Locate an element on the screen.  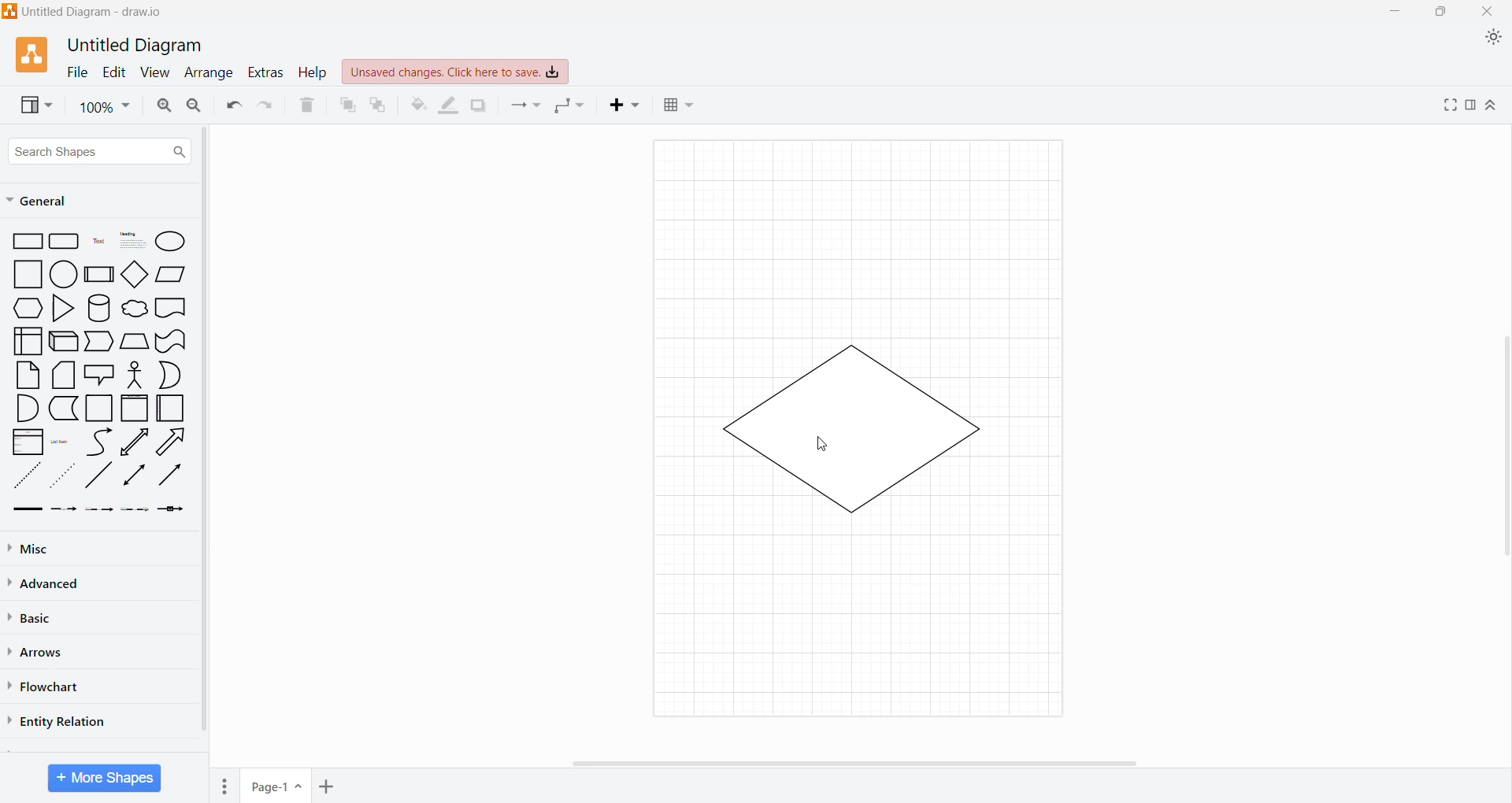
Unsaved Changes. Click here to save is located at coordinates (456, 72).